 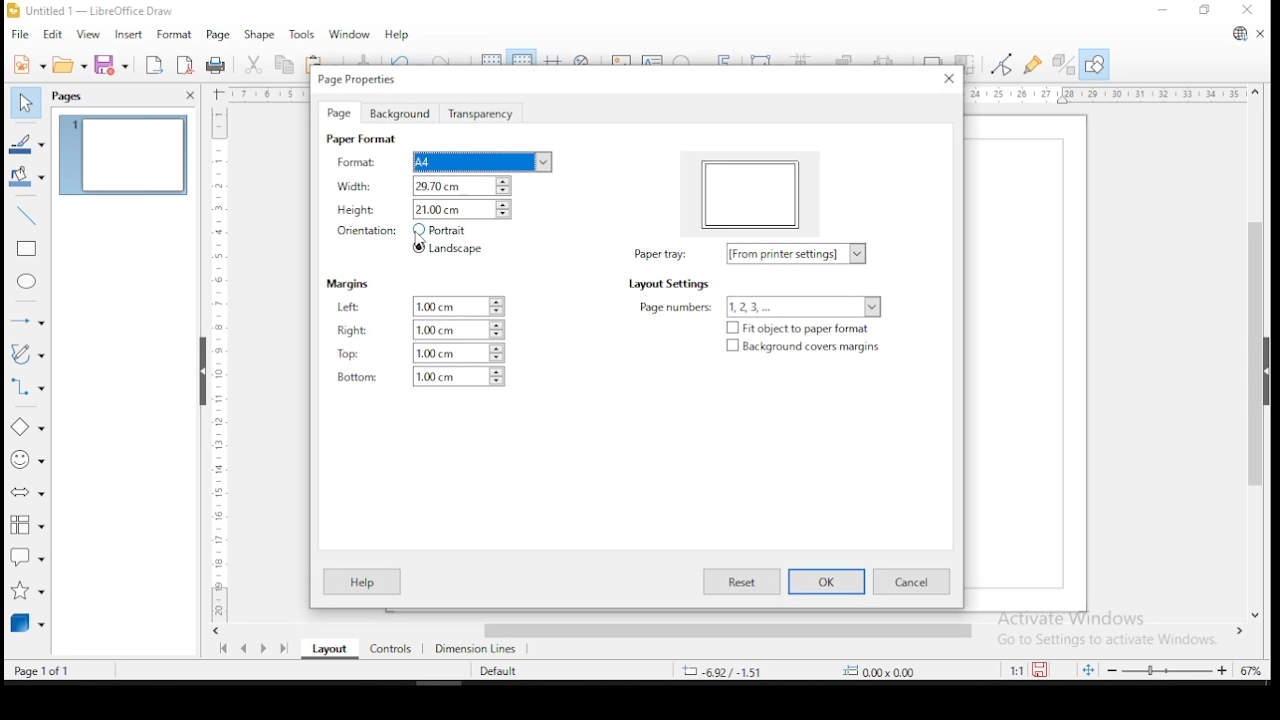 What do you see at coordinates (521, 59) in the screenshot?
I see `snap to grids` at bounding box center [521, 59].